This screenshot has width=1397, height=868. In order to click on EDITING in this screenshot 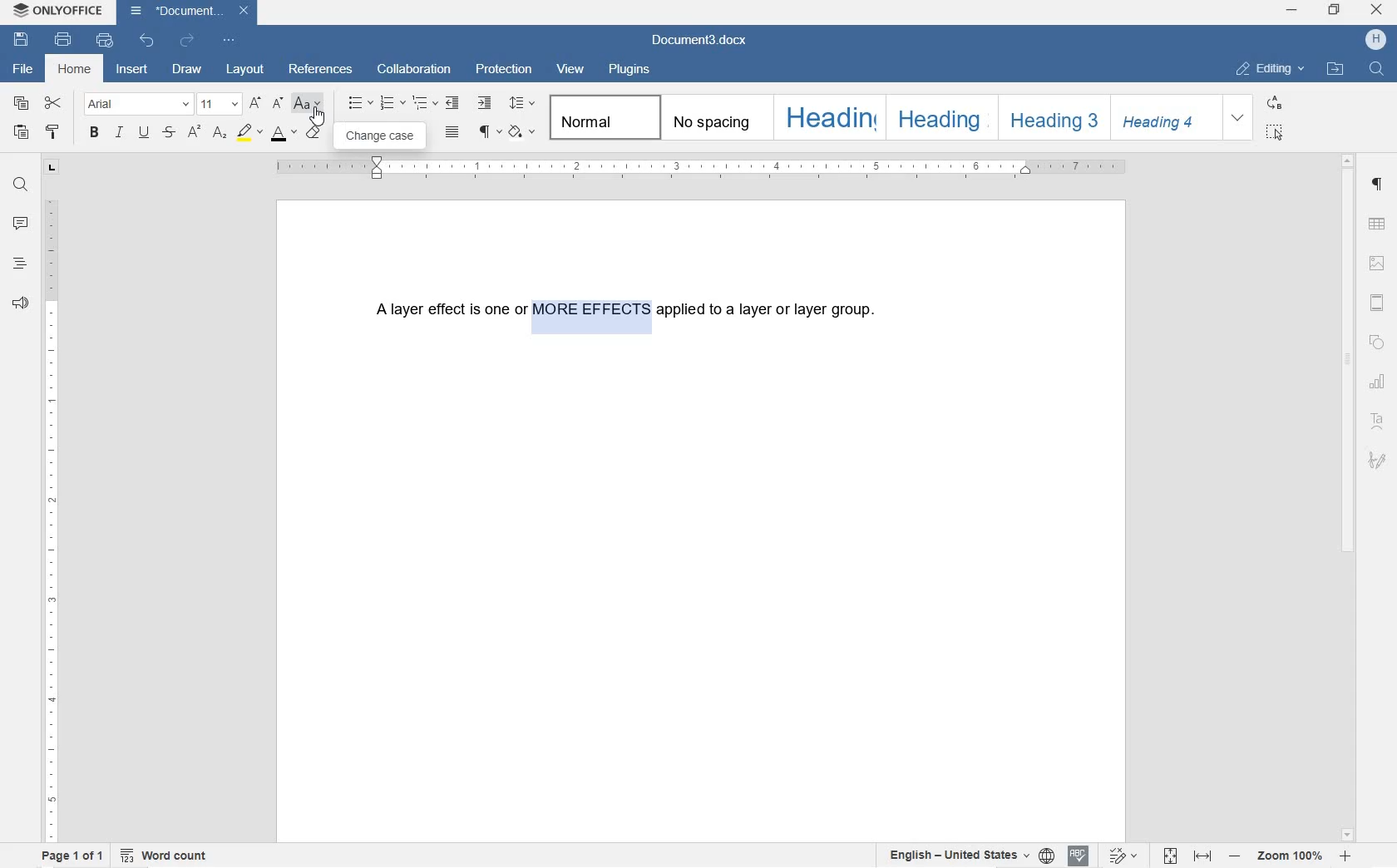, I will do `click(1271, 65)`.